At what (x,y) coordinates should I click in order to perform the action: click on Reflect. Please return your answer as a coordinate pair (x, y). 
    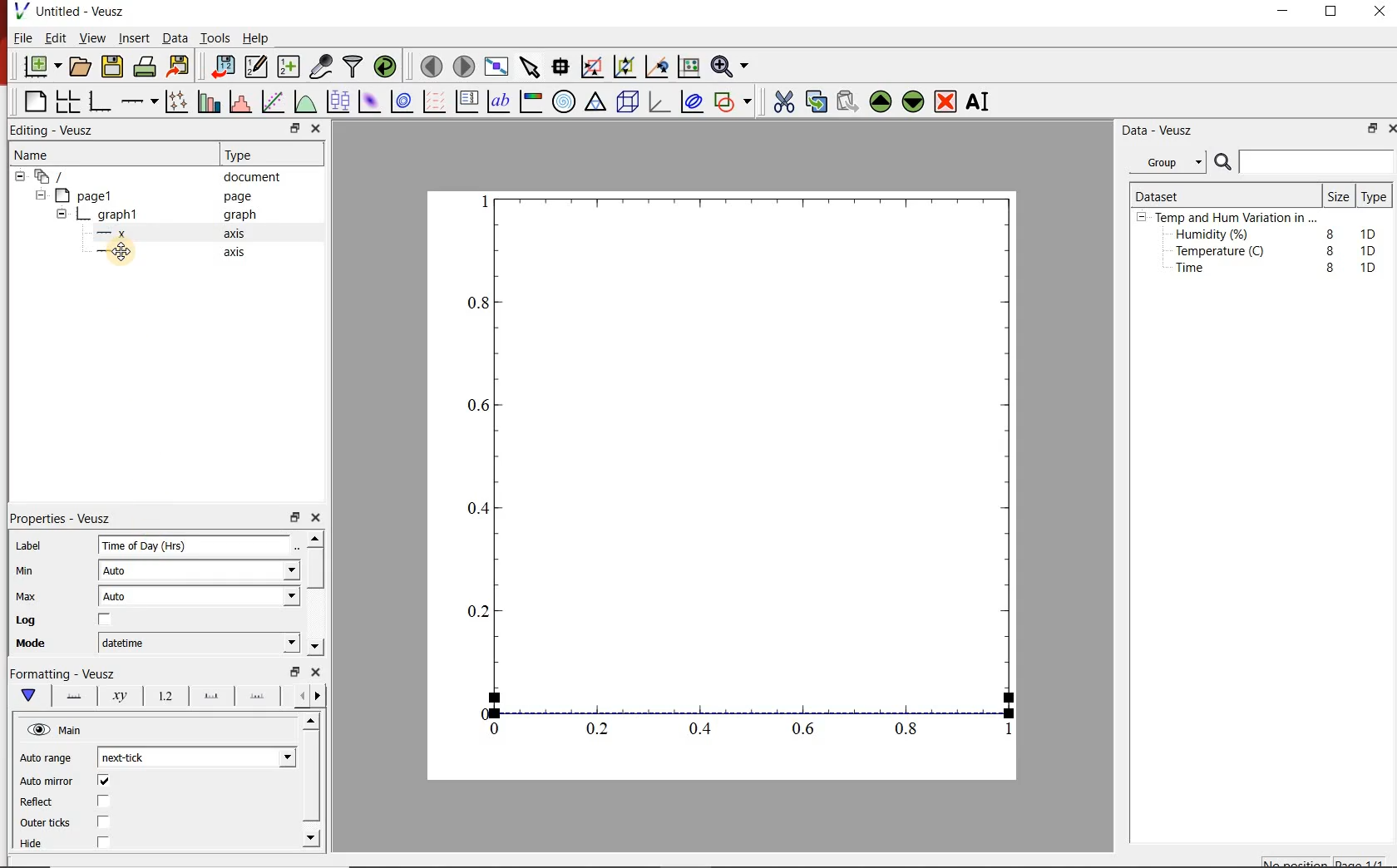
    Looking at the image, I should click on (72, 802).